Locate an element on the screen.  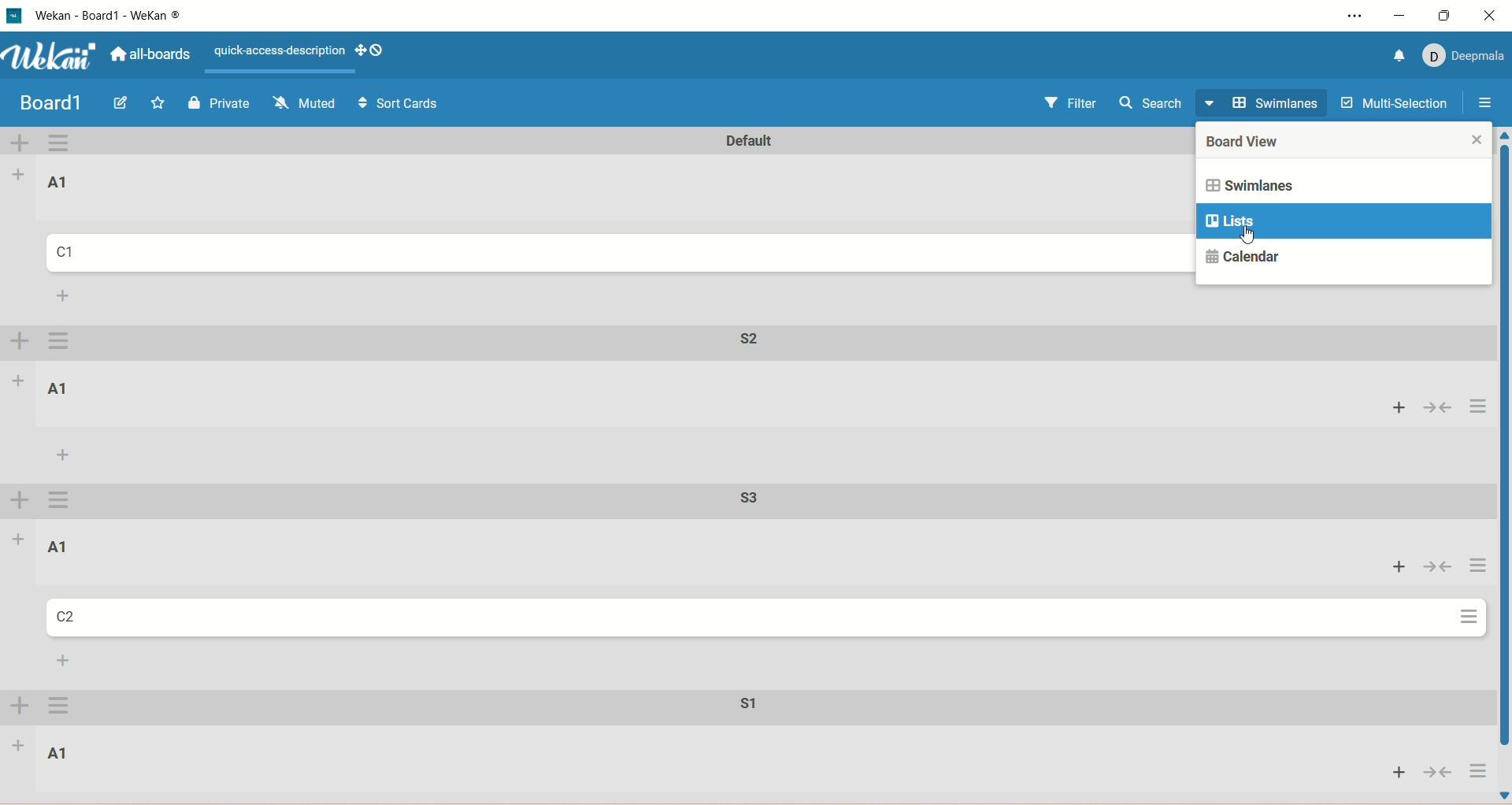
swimlane tittle is located at coordinates (743, 339).